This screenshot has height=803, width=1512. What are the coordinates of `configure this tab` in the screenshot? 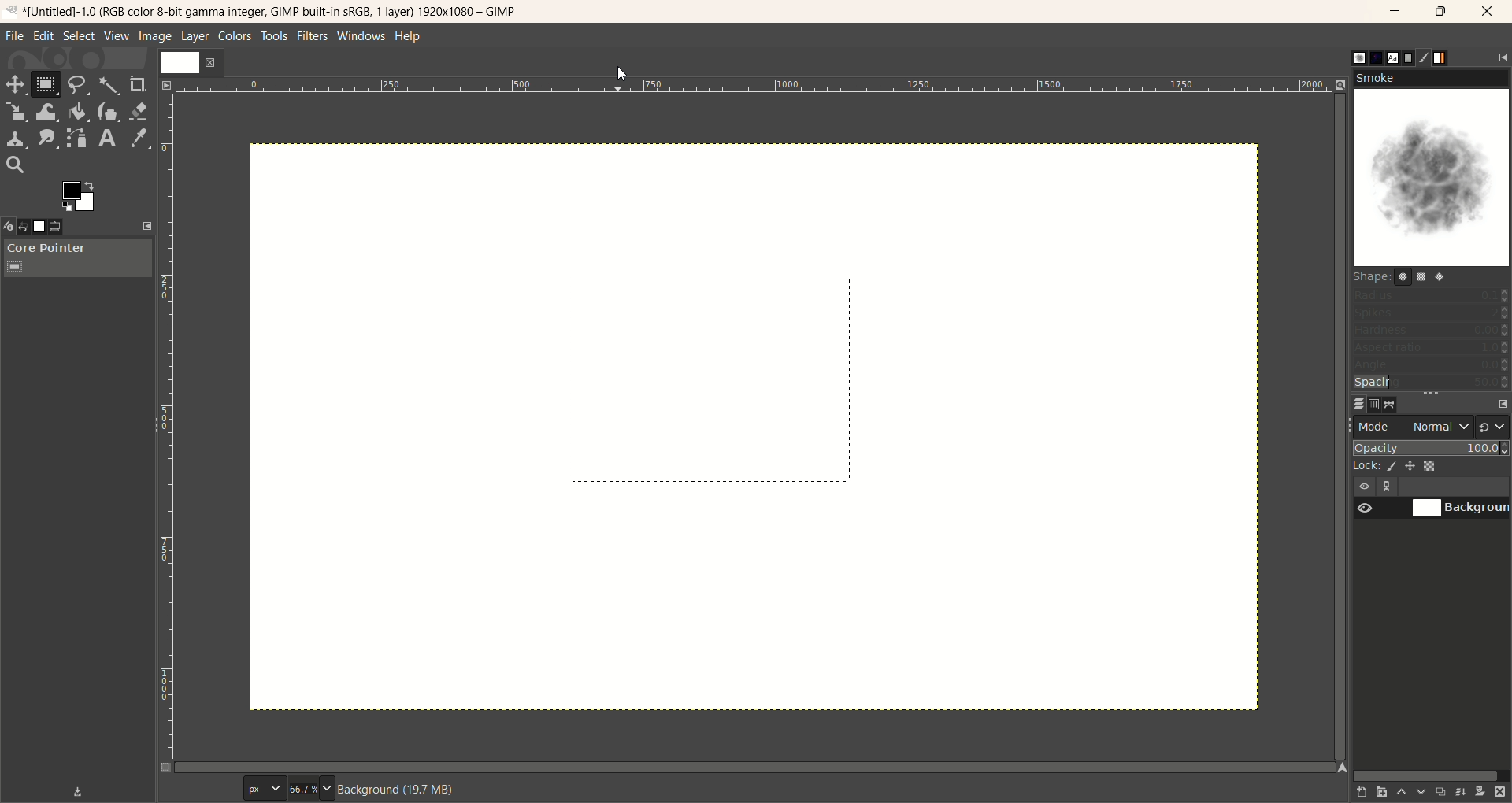 It's located at (1503, 402).